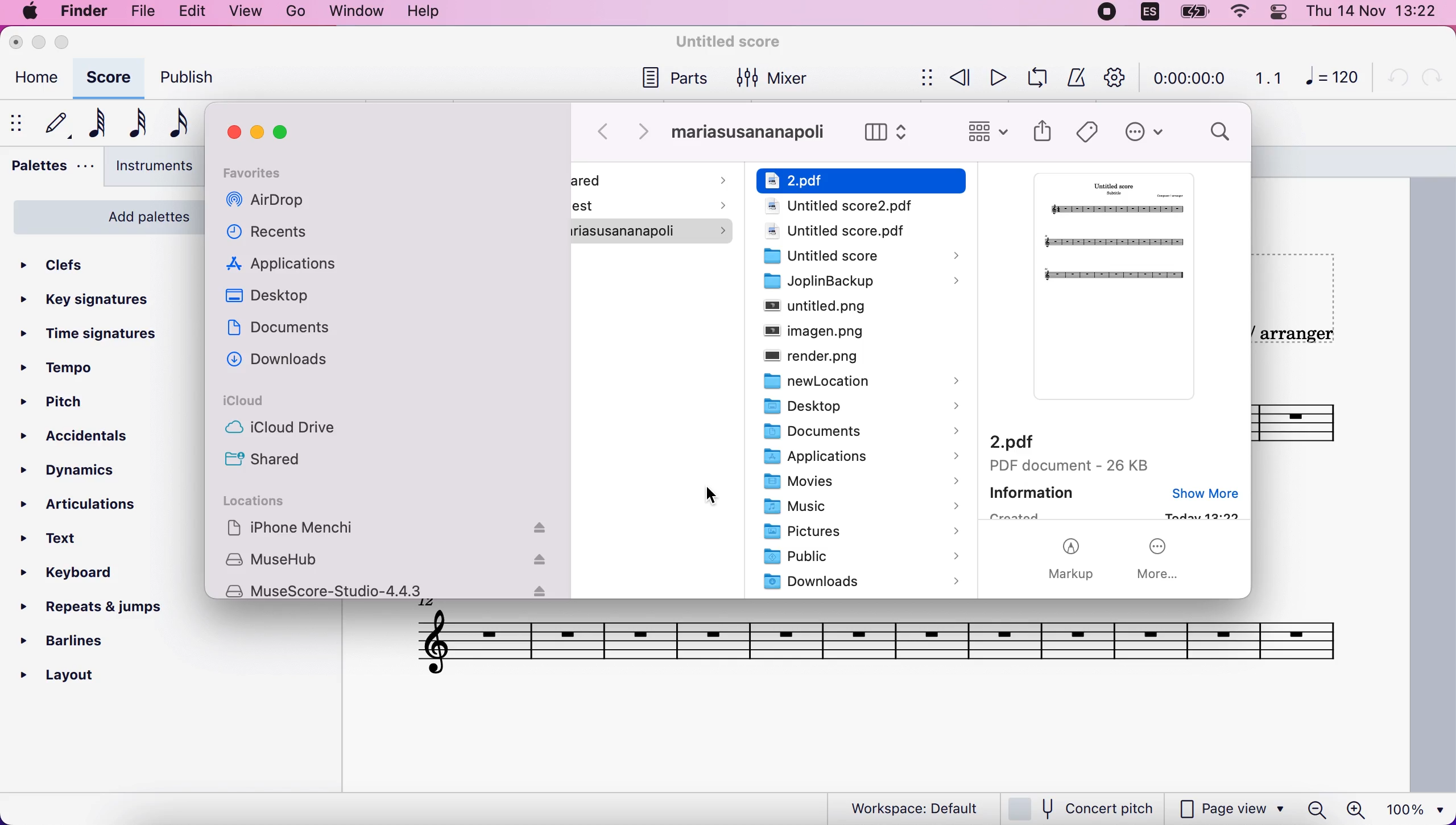 The height and width of the screenshot is (825, 1456). I want to click on parts, so click(677, 81).